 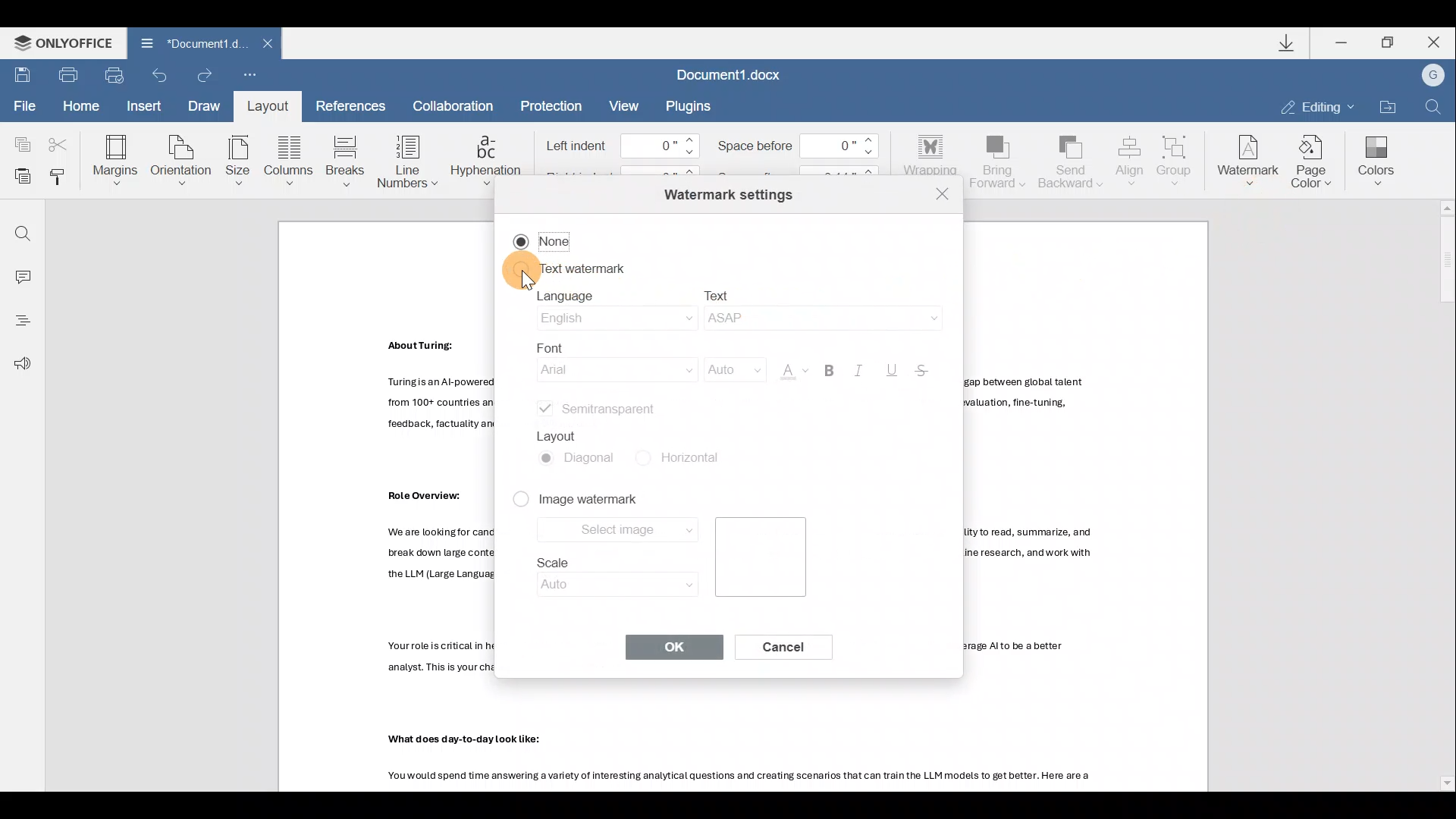 What do you see at coordinates (21, 274) in the screenshot?
I see `Comment` at bounding box center [21, 274].